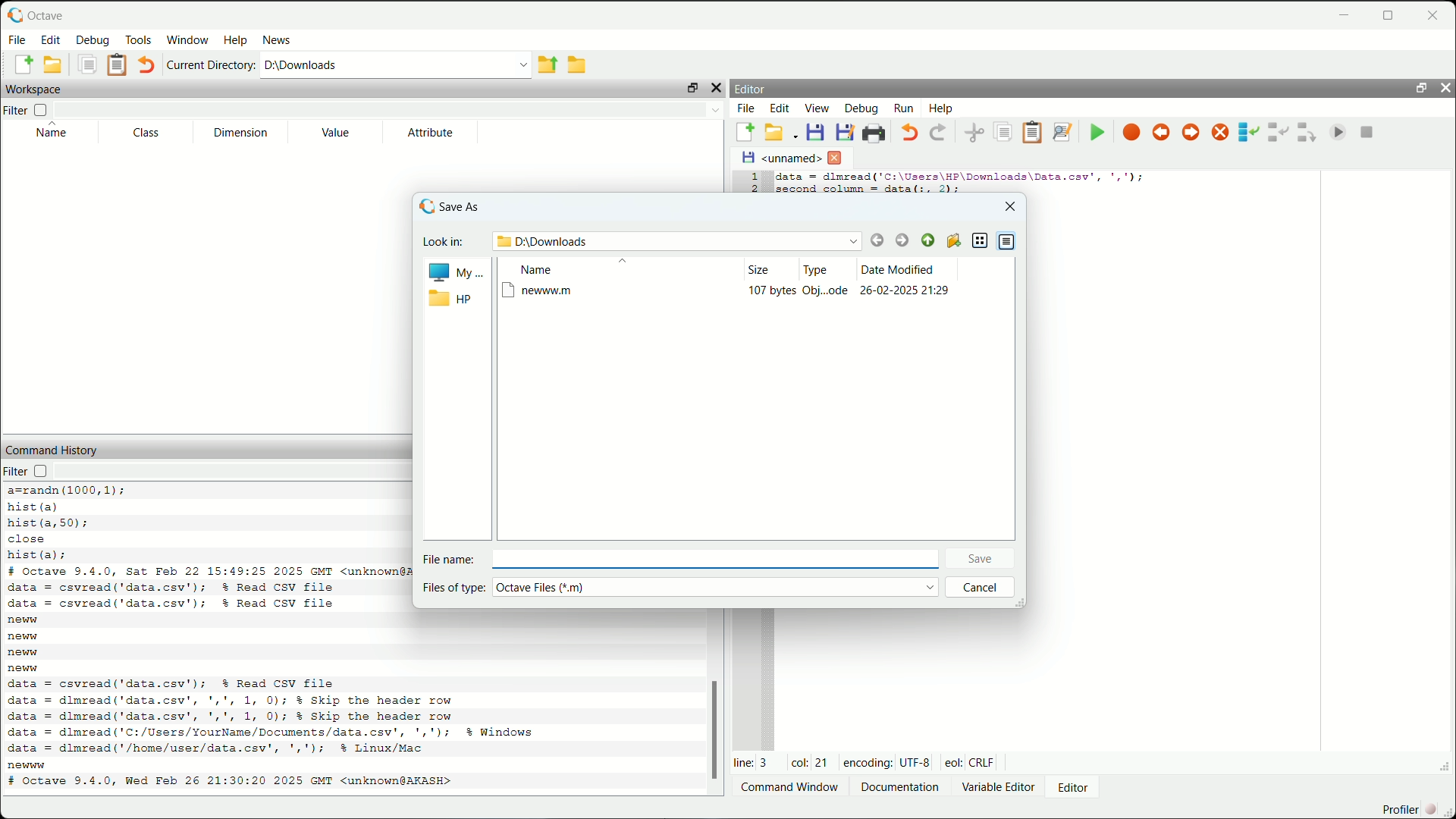 This screenshot has height=819, width=1456. What do you see at coordinates (809, 763) in the screenshot?
I see `col: 21` at bounding box center [809, 763].